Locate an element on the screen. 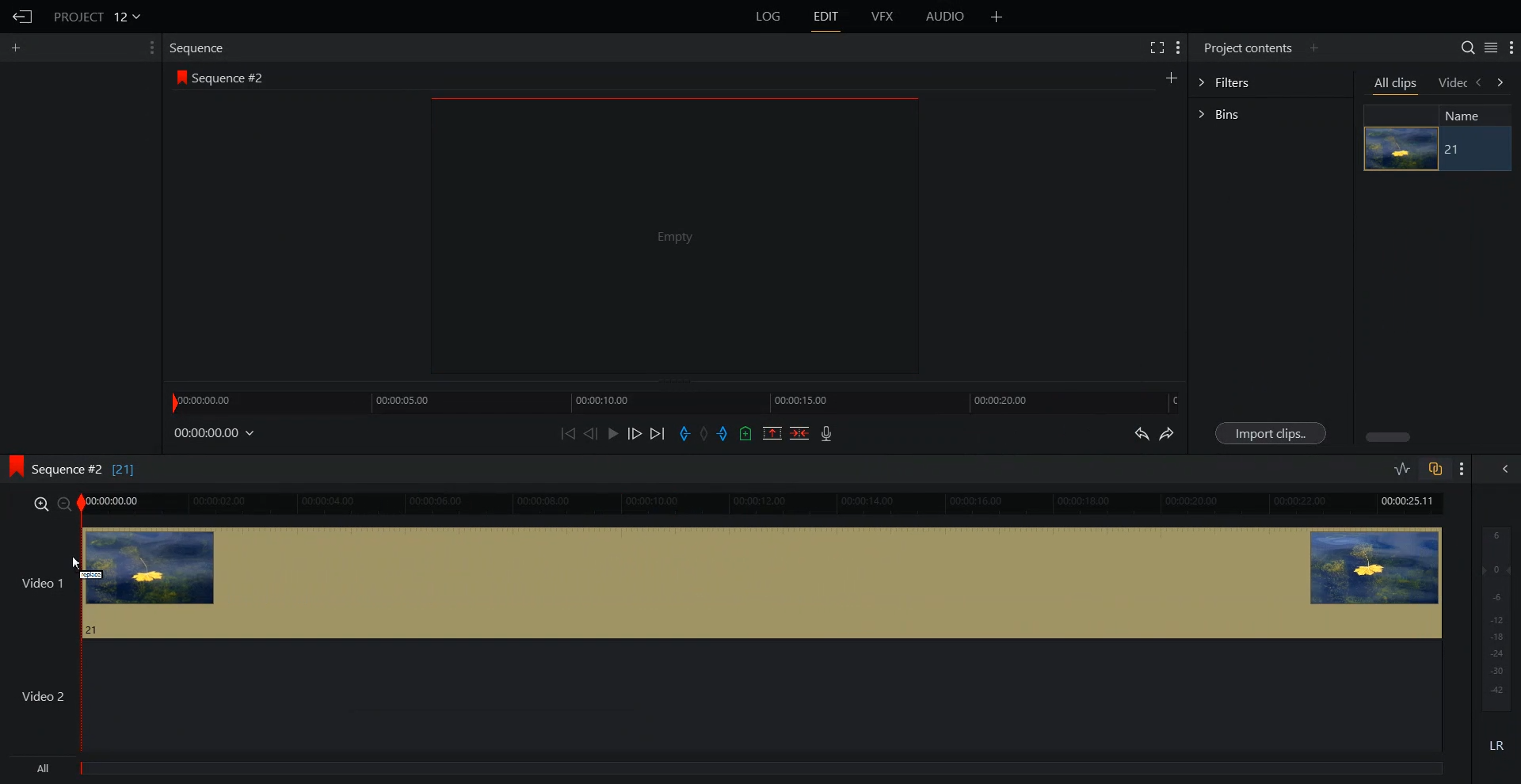  Move Backward is located at coordinates (568, 432).